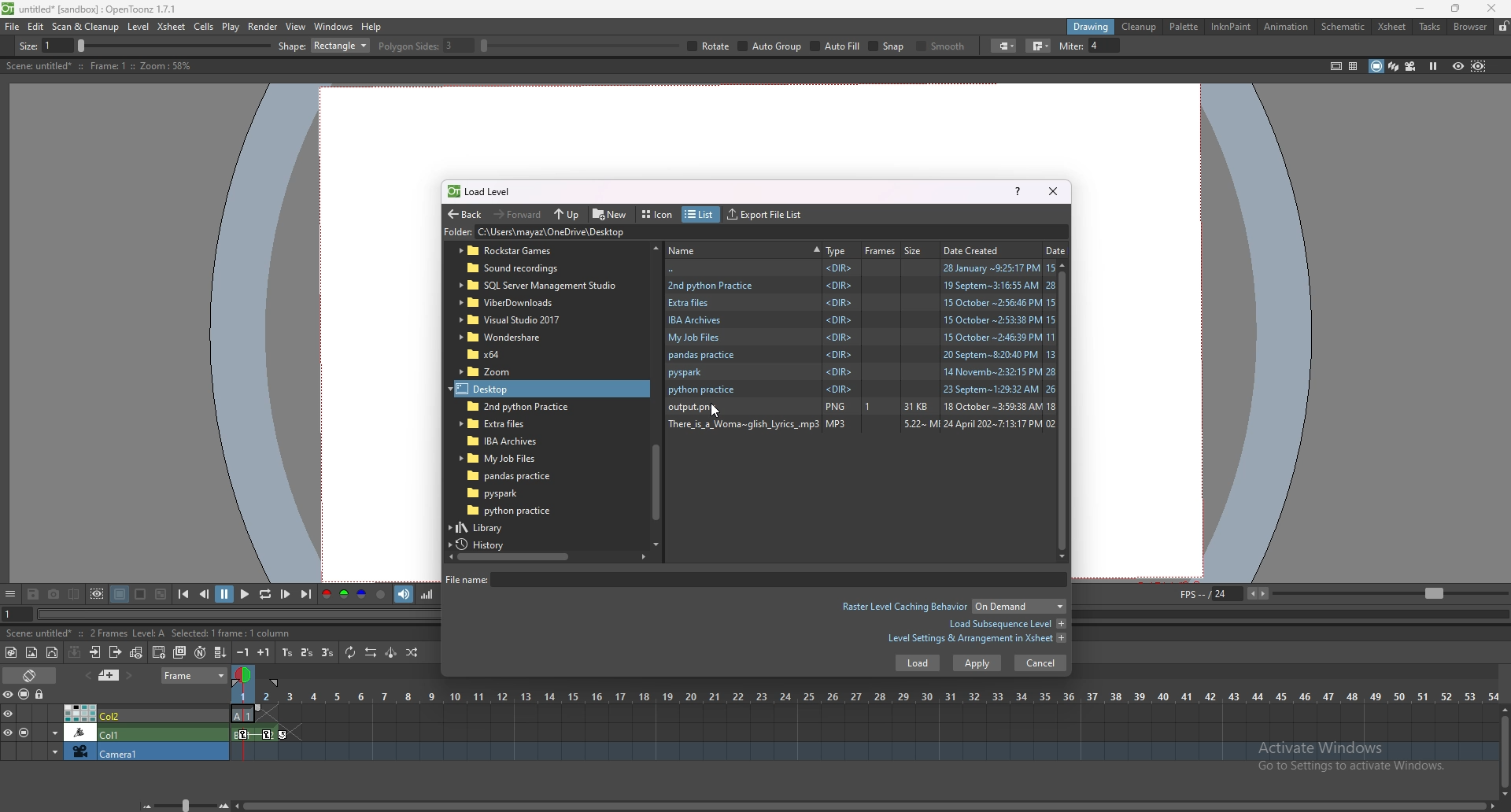 The width and height of the screenshot is (1511, 812). What do you see at coordinates (656, 393) in the screenshot?
I see `horizontal scroll bar` at bounding box center [656, 393].